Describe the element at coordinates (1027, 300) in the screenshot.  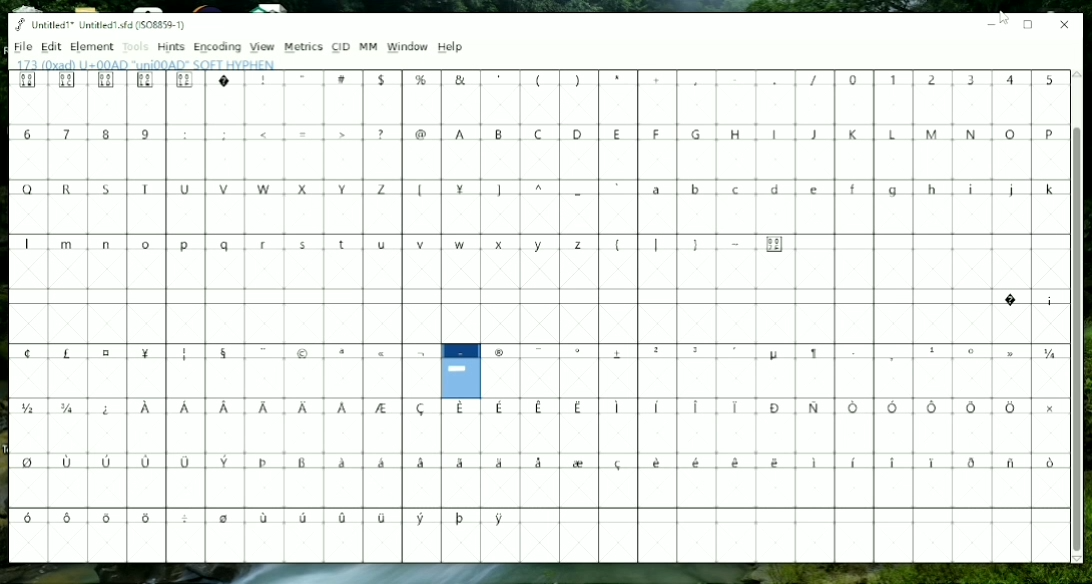
I see `Symbols` at that location.